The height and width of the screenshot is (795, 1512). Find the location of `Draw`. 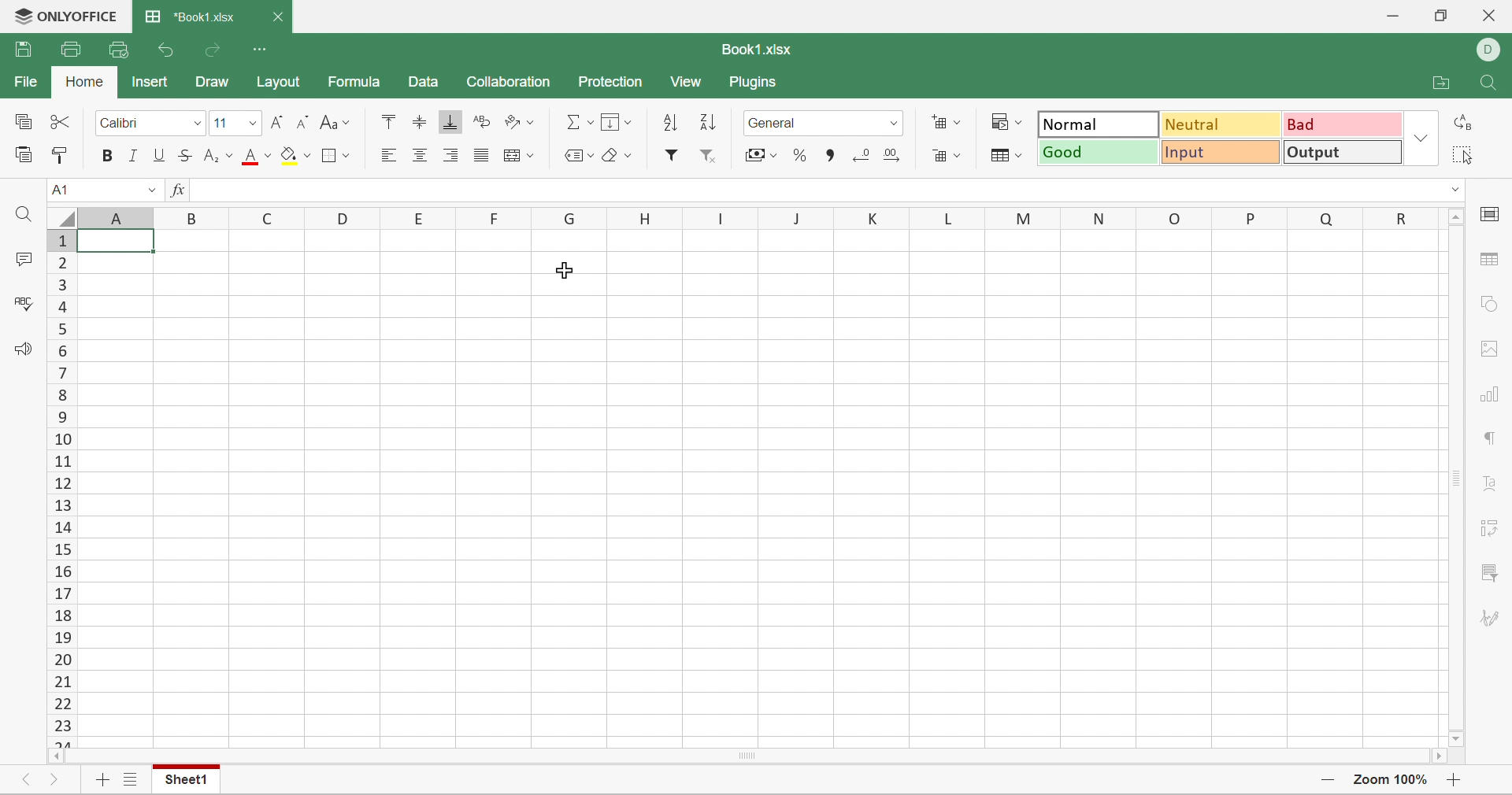

Draw is located at coordinates (213, 81).